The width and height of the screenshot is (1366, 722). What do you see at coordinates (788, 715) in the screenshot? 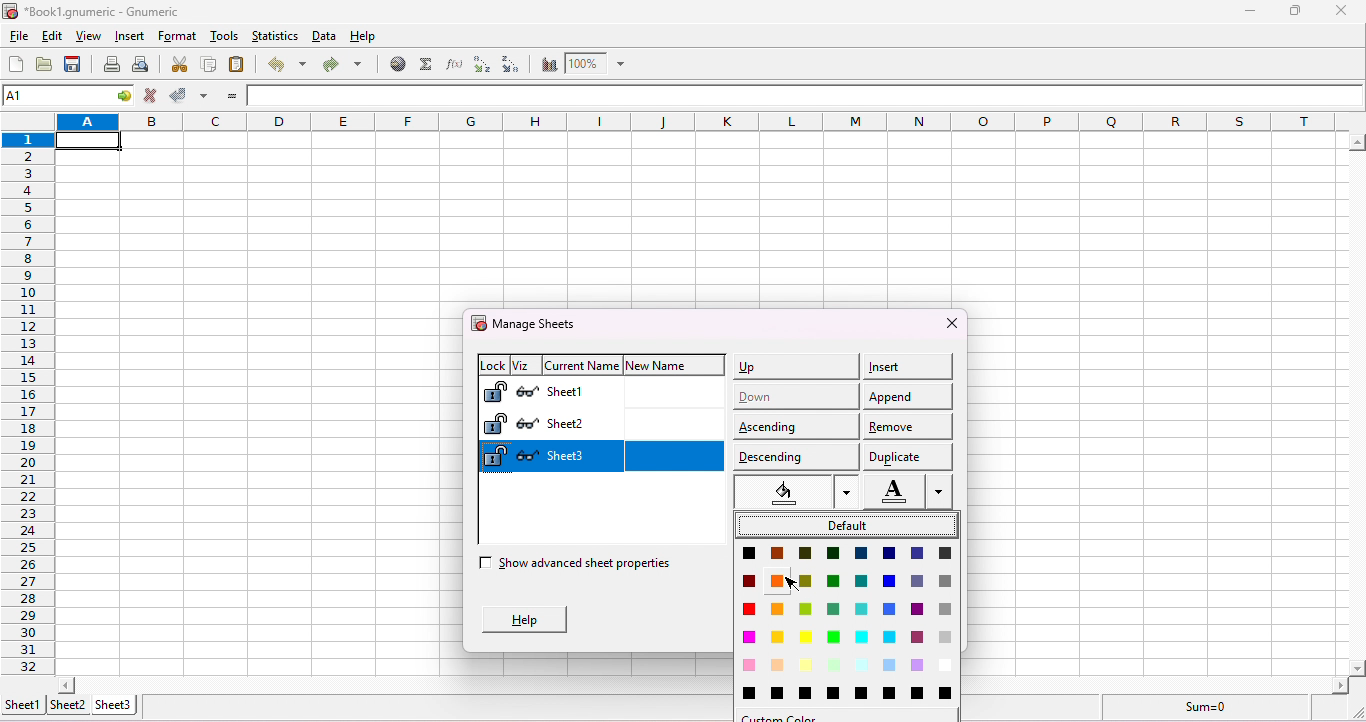
I see `color` at bounding box center [788, 715].